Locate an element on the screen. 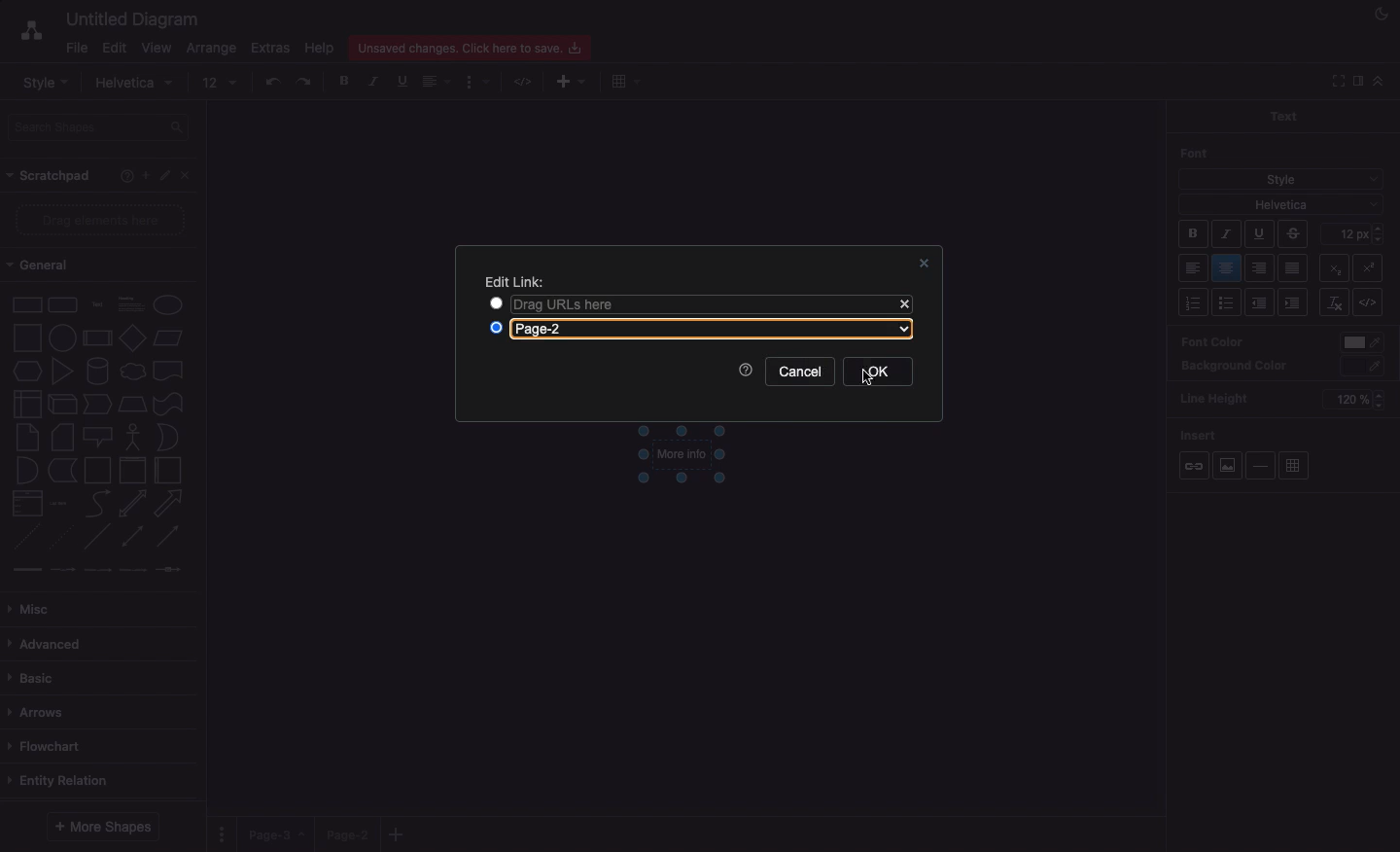  12 is located at coordinates (221, 83).